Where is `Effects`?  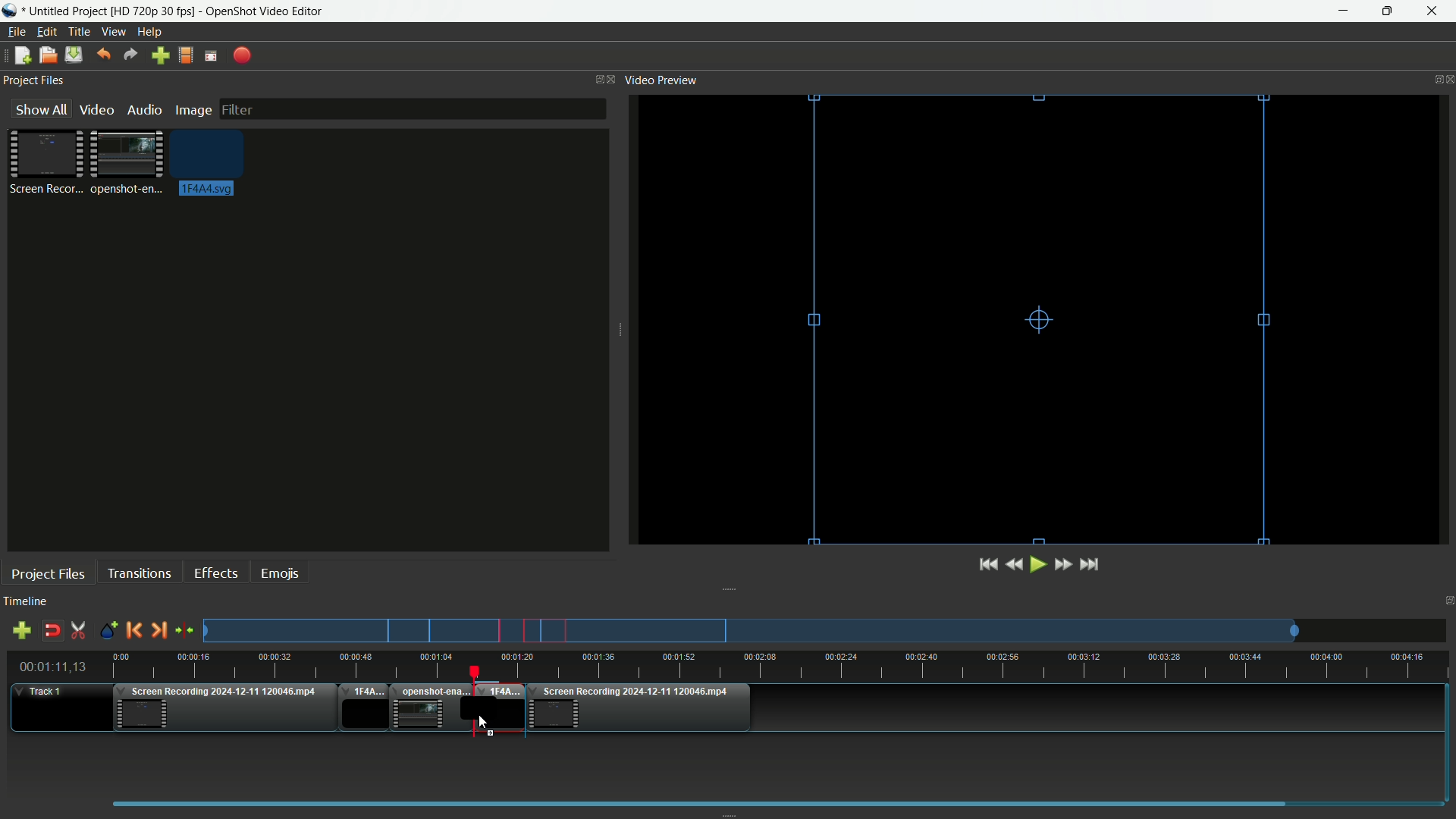
Effects is located at coordinates (215, 573).